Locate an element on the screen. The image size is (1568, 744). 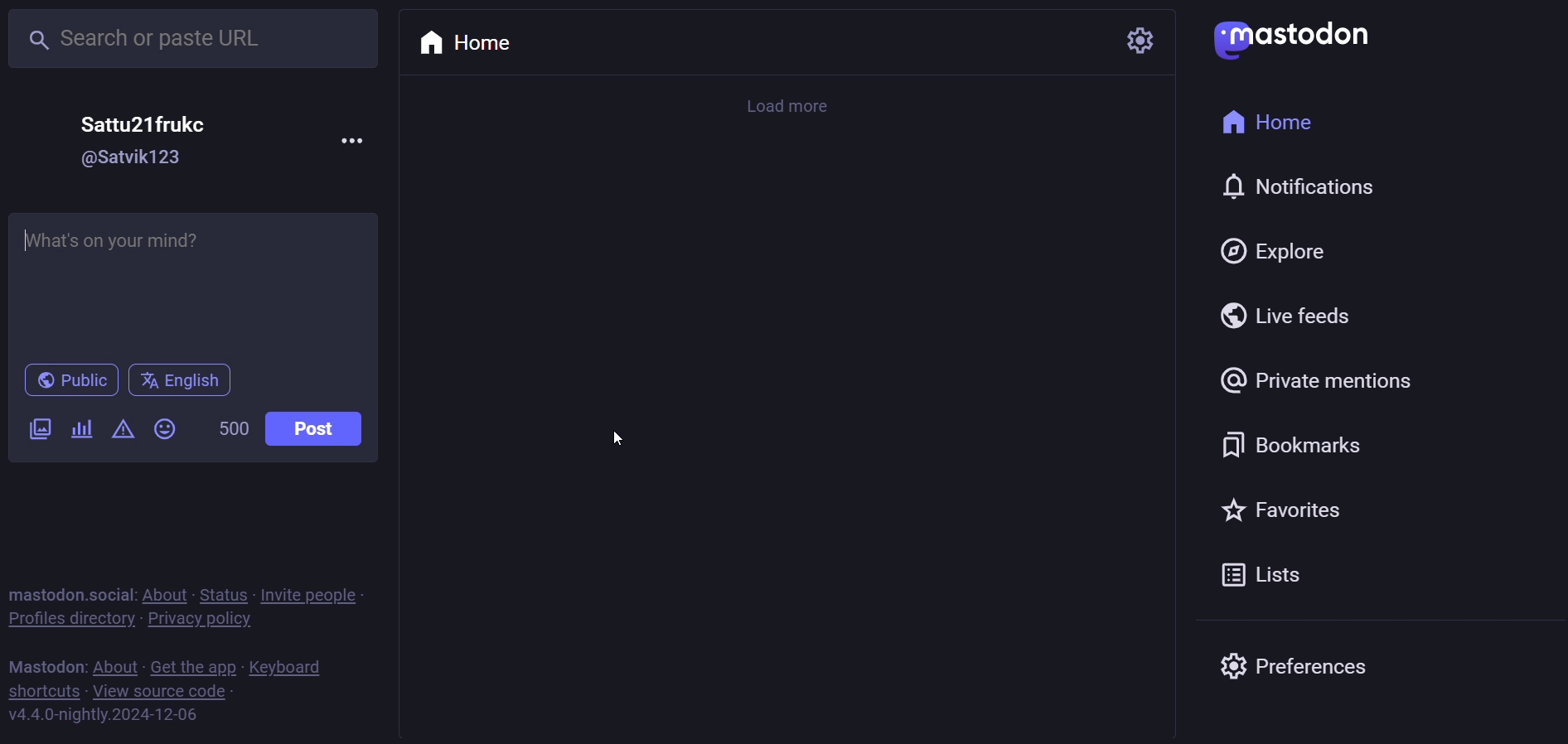
home is located at coordinates (463, 46).